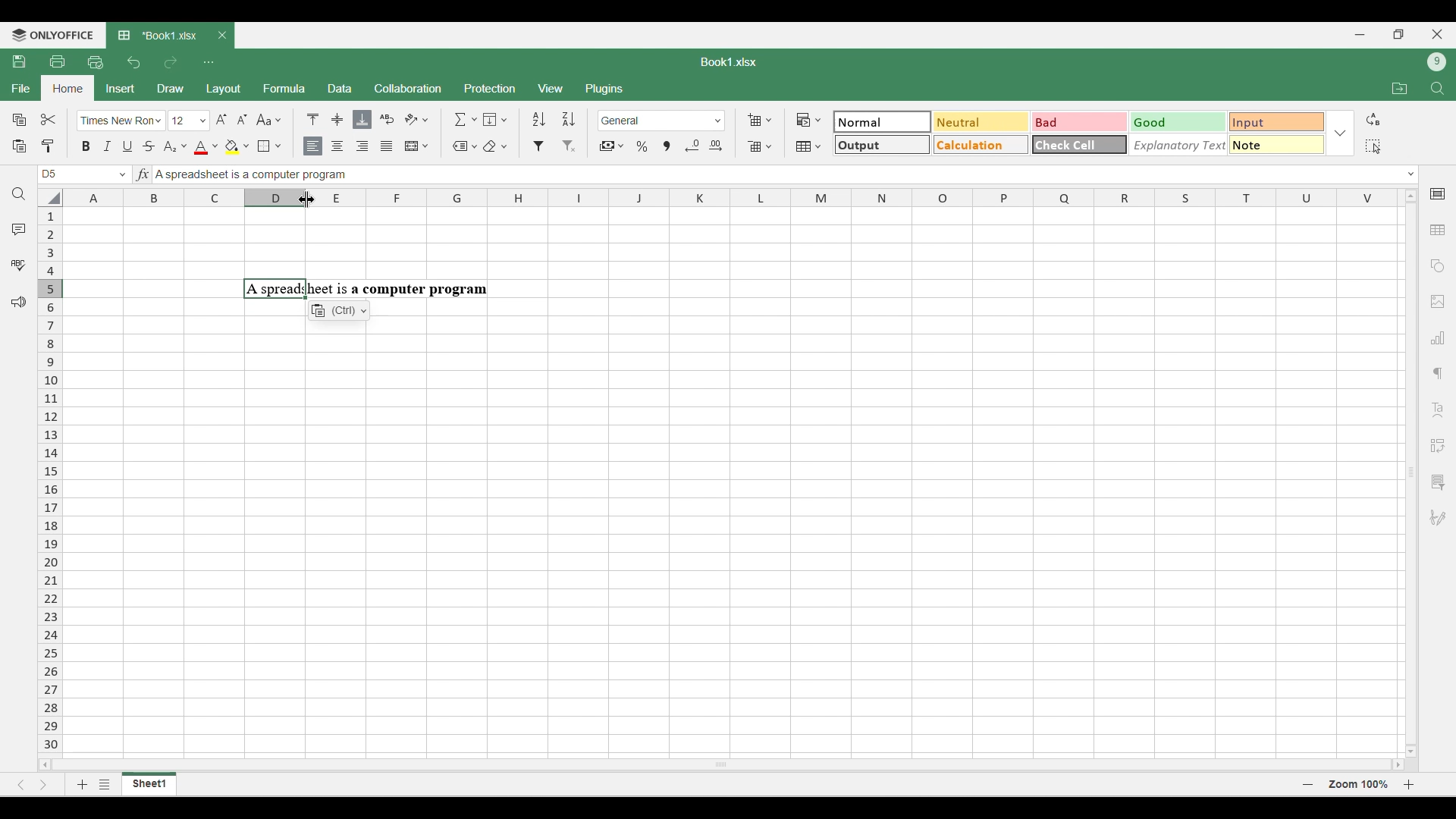  What do you see at coordinates (340, 87) in the screenshot?
I see `Data menu` at bounding box center [340, 87].